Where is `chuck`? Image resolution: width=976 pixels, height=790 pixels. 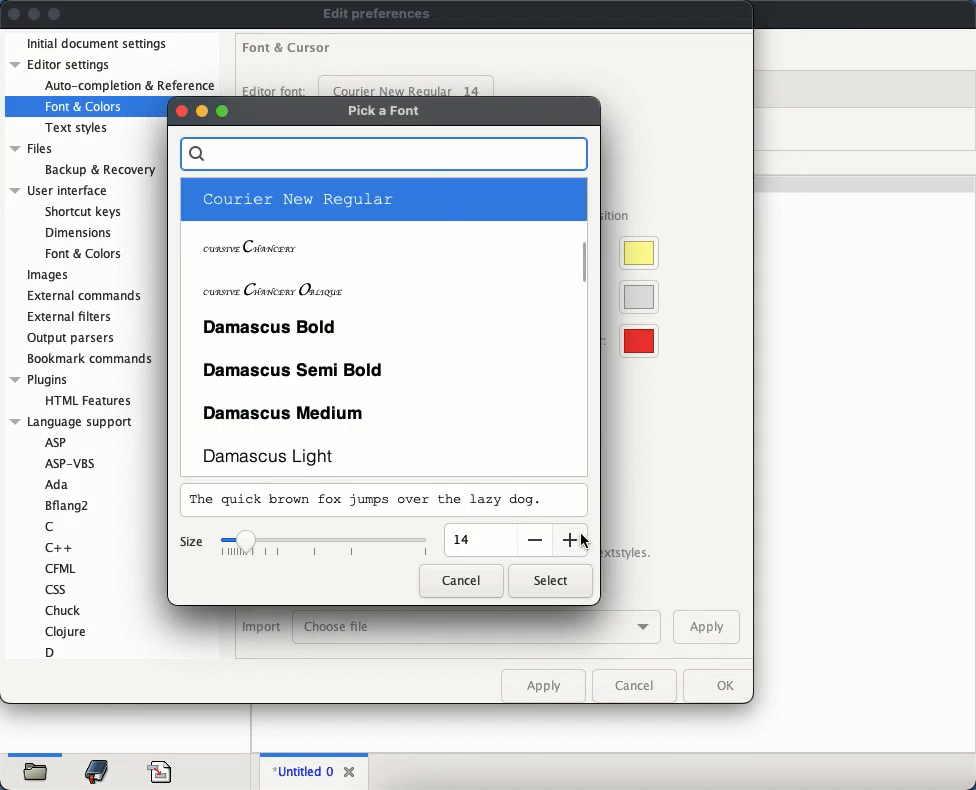
chuck is located at coordinates (64, 610).